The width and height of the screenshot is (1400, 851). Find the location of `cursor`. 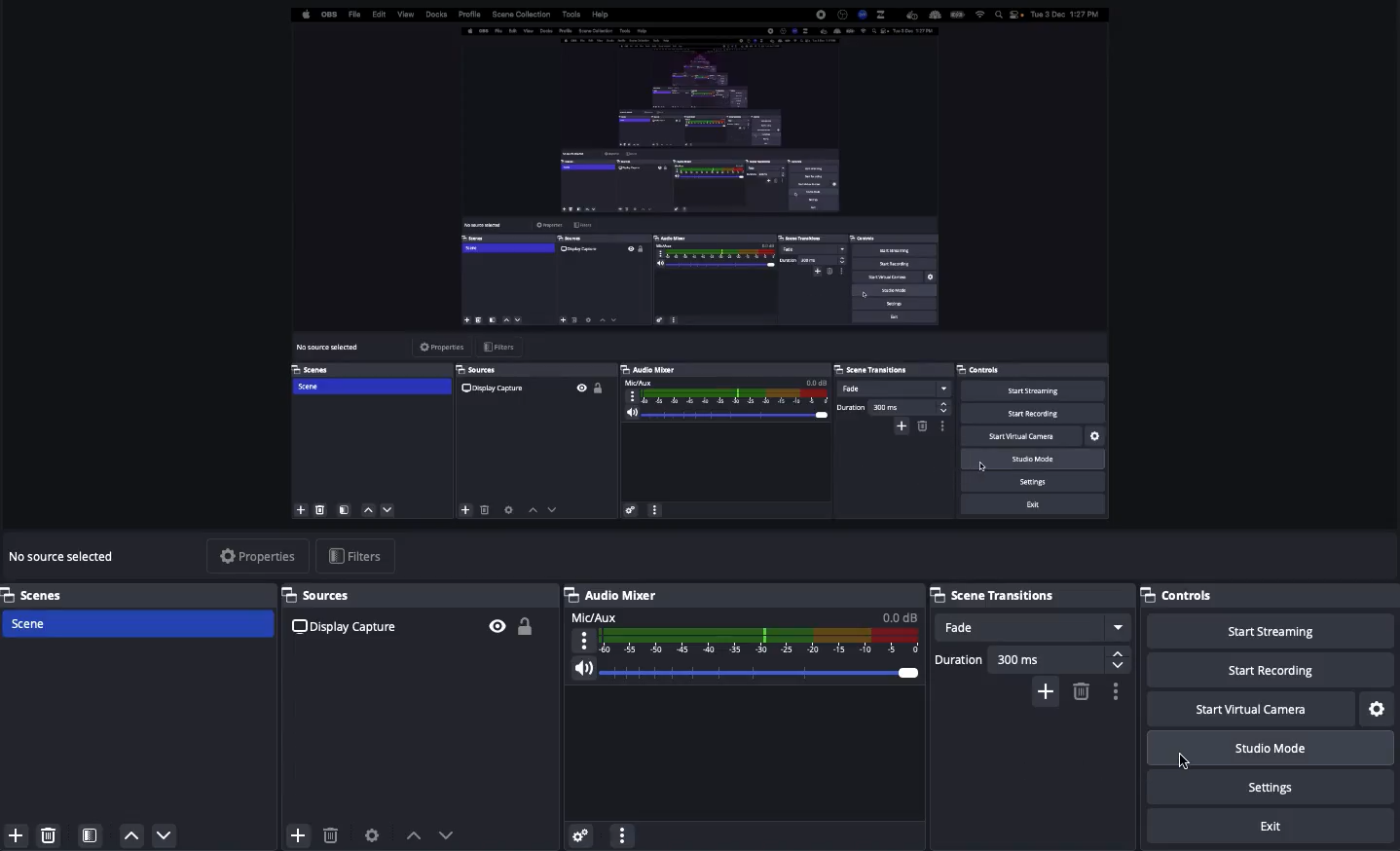

cursor is located at coordinates (1187, 760).